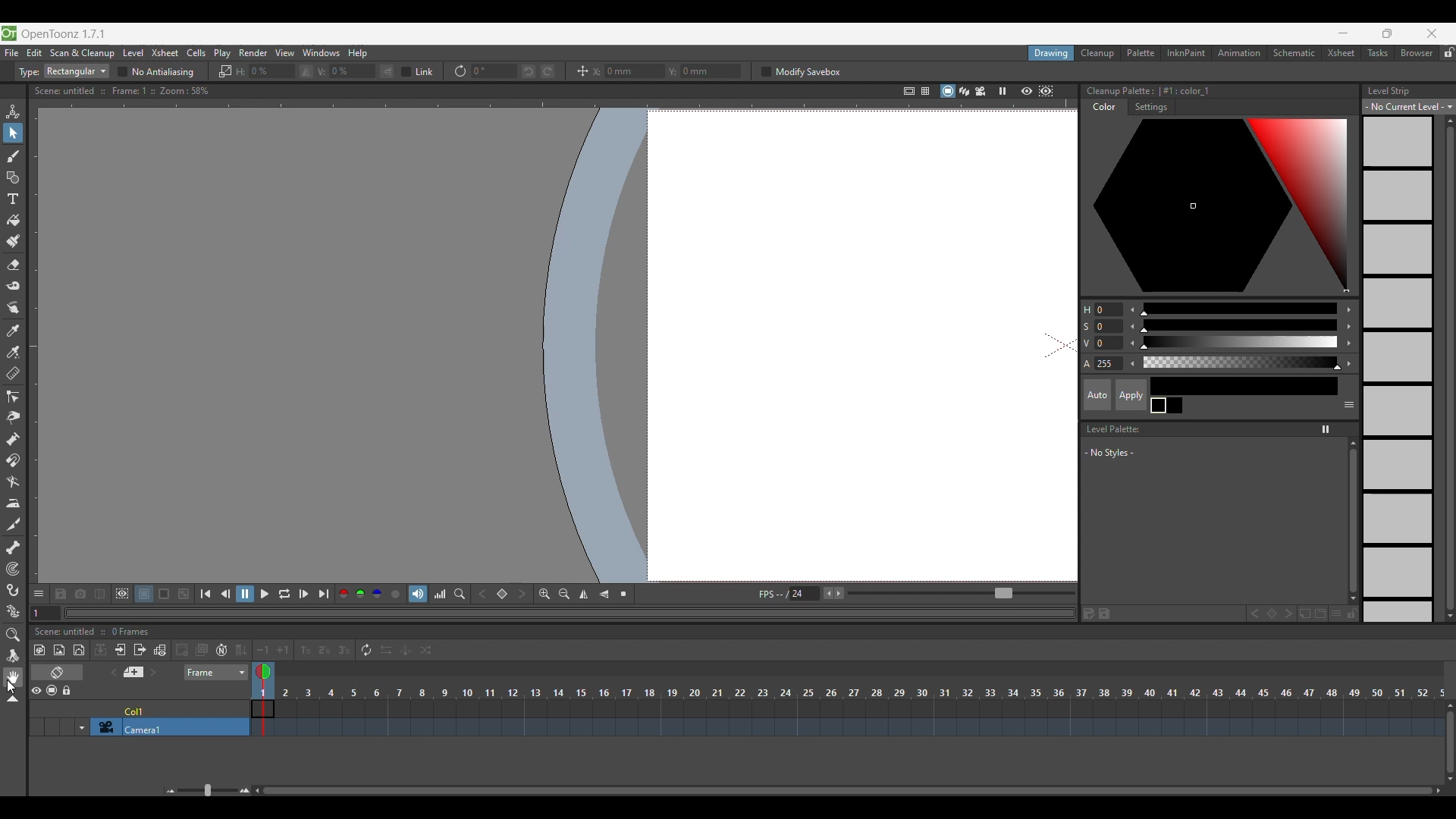 The height and width of the screenshot is (819, 1456). Describe the element at coordinates (962, 593) in the screenshot. I see `Slider to increase/decrease frames per second` at that location.